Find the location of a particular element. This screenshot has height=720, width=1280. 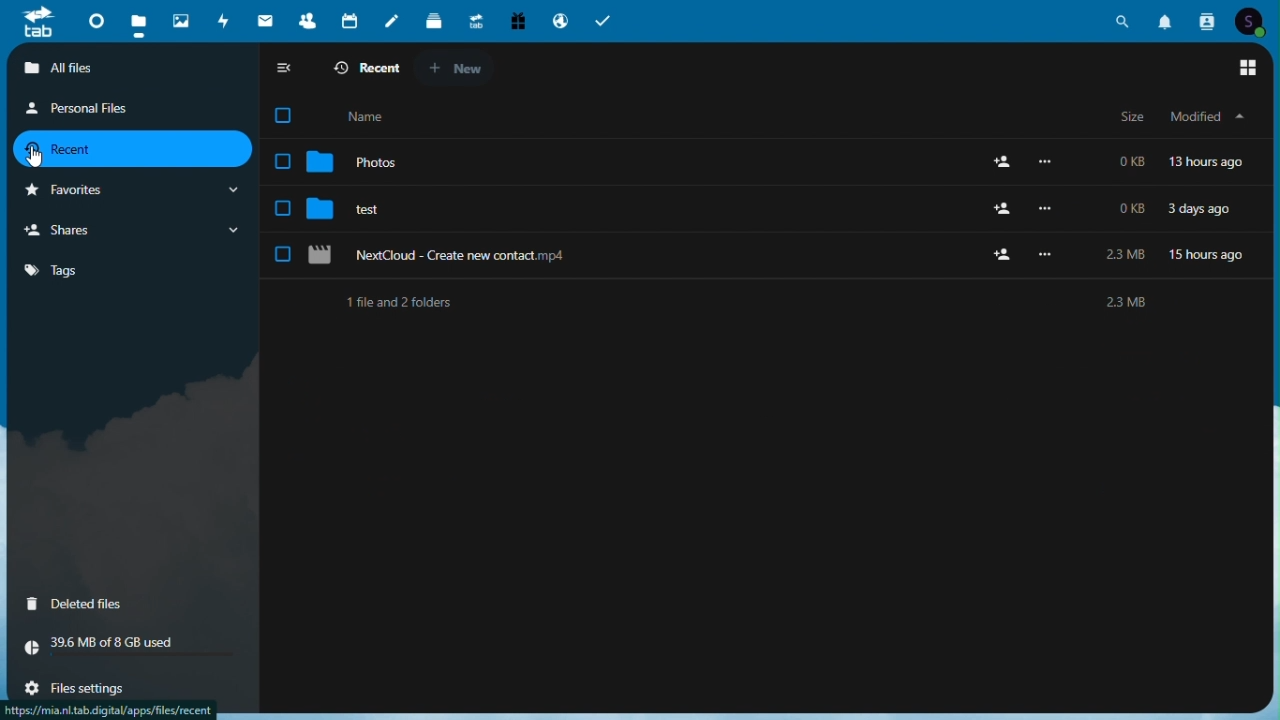

23mb is located at coordinates (1124, 257).